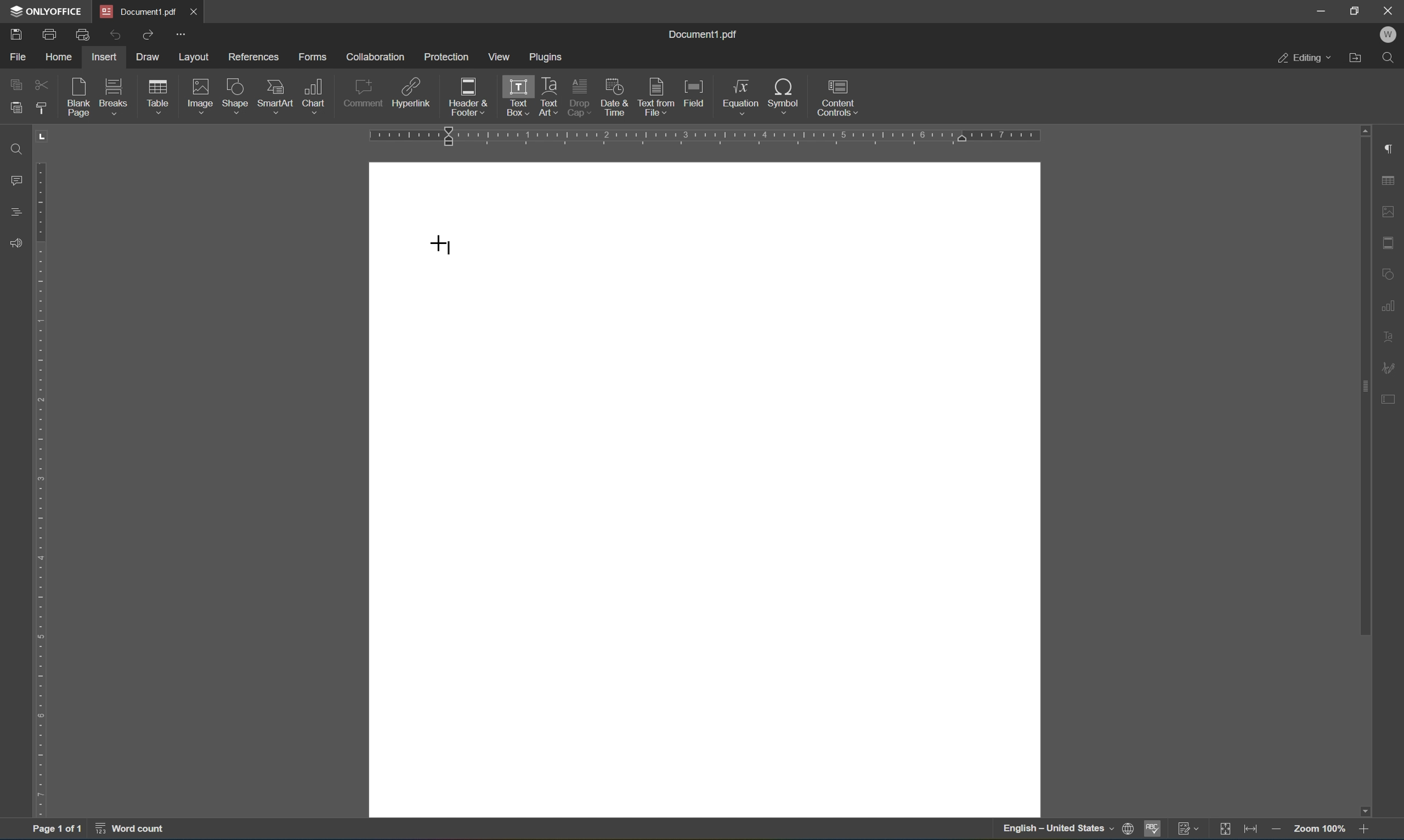 This screenshot has width=1404, height=840. Describe the element at coordinates (181, 33) in the screenshot. I see `More` at that location.